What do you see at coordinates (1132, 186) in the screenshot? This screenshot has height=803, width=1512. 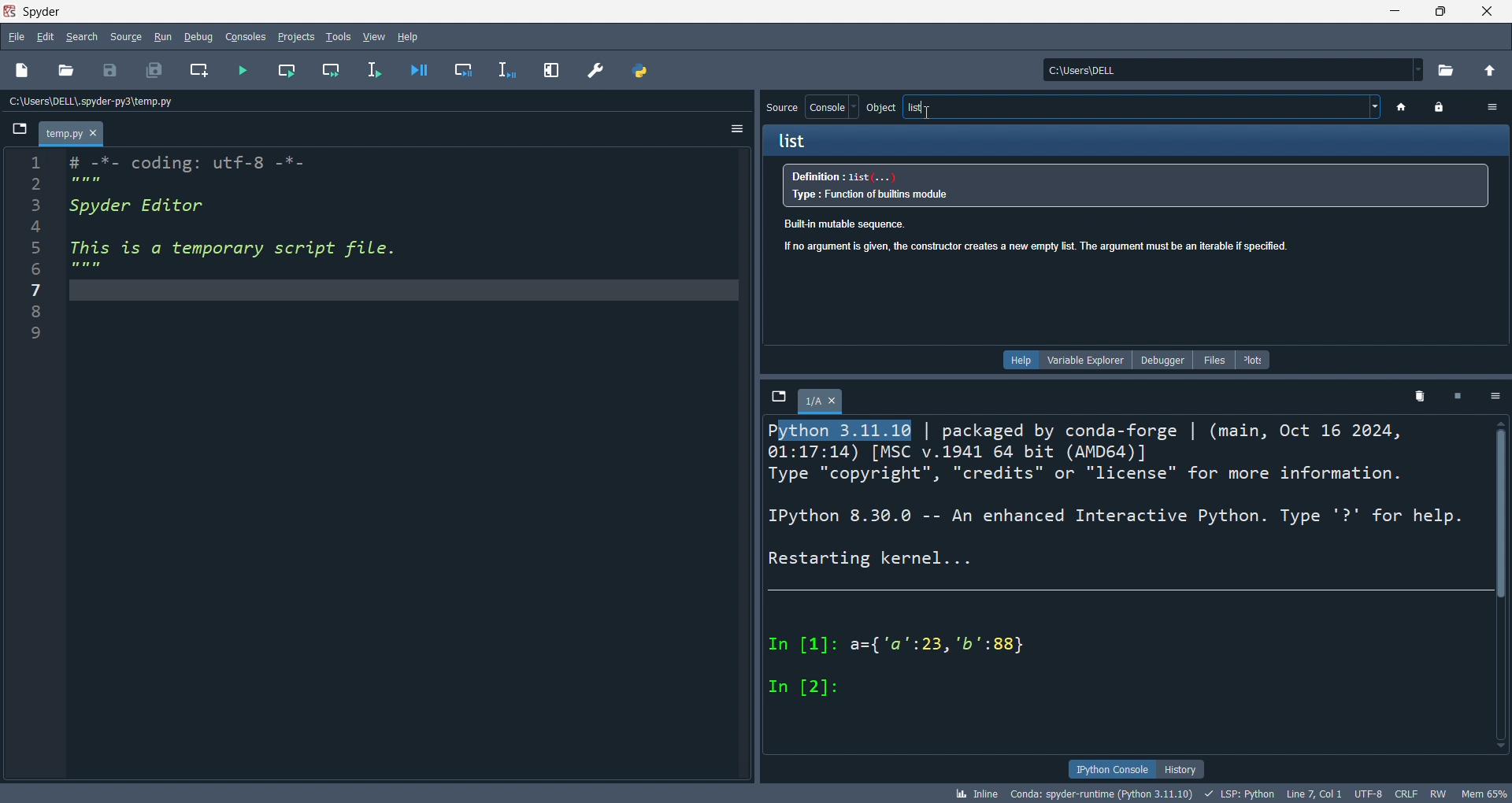 I see `Definition : 13st...
Type : Function of buitiins module` at bounding box center [1132, 186].